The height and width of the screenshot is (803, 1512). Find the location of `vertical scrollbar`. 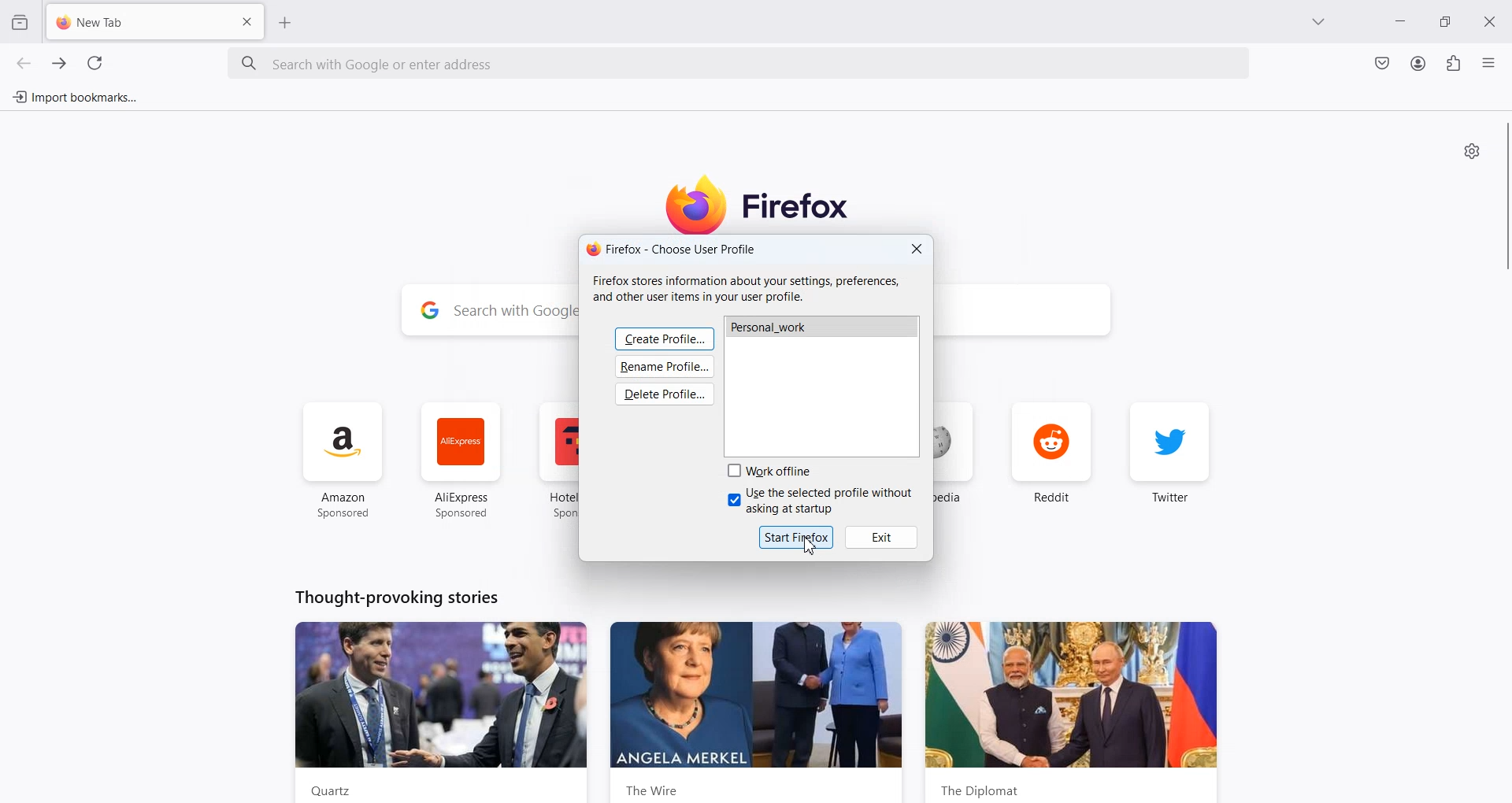

vertical scrollbar is located at coordinates (1503, 197).